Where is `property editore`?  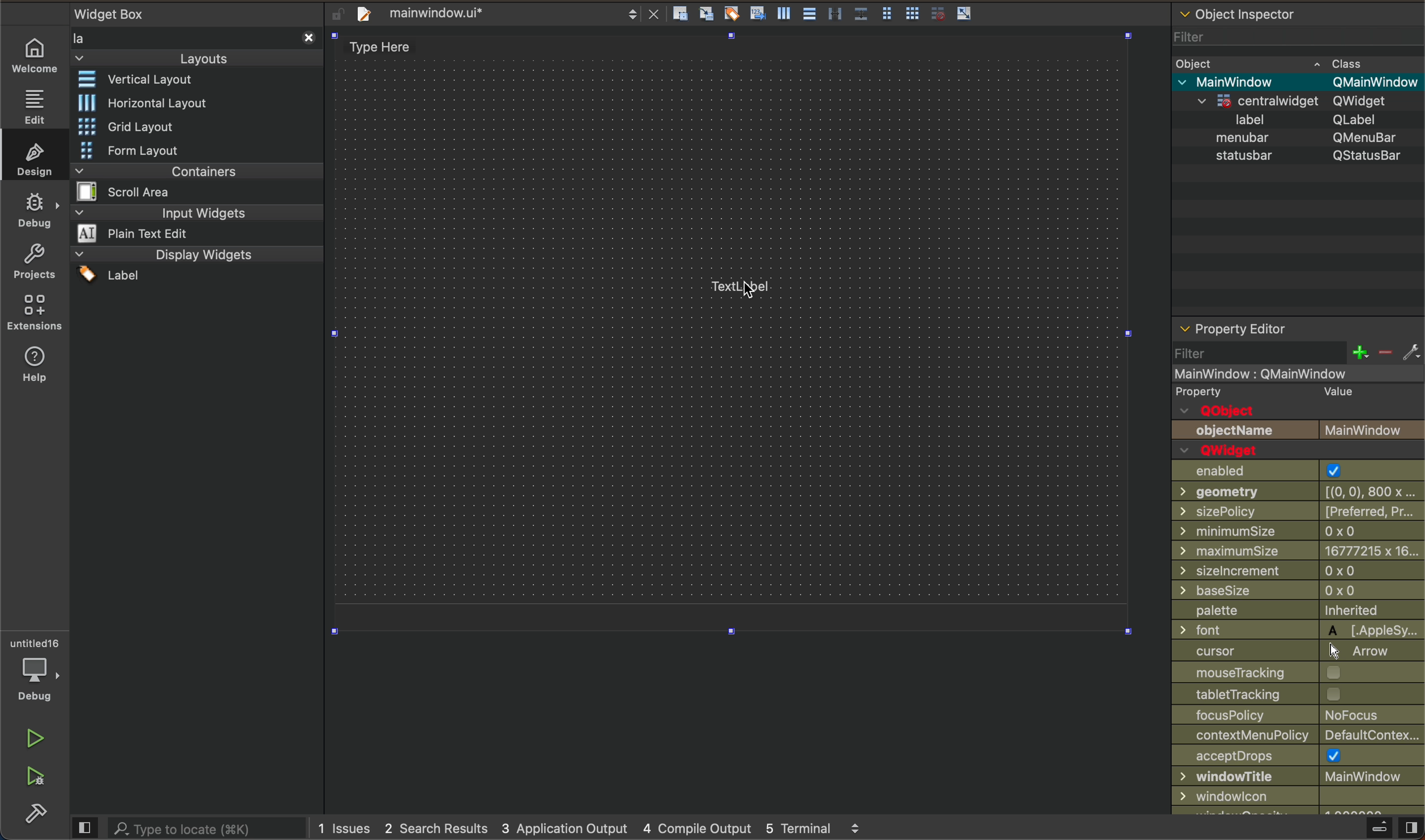
property editore is located at coordinates (1274, 317).